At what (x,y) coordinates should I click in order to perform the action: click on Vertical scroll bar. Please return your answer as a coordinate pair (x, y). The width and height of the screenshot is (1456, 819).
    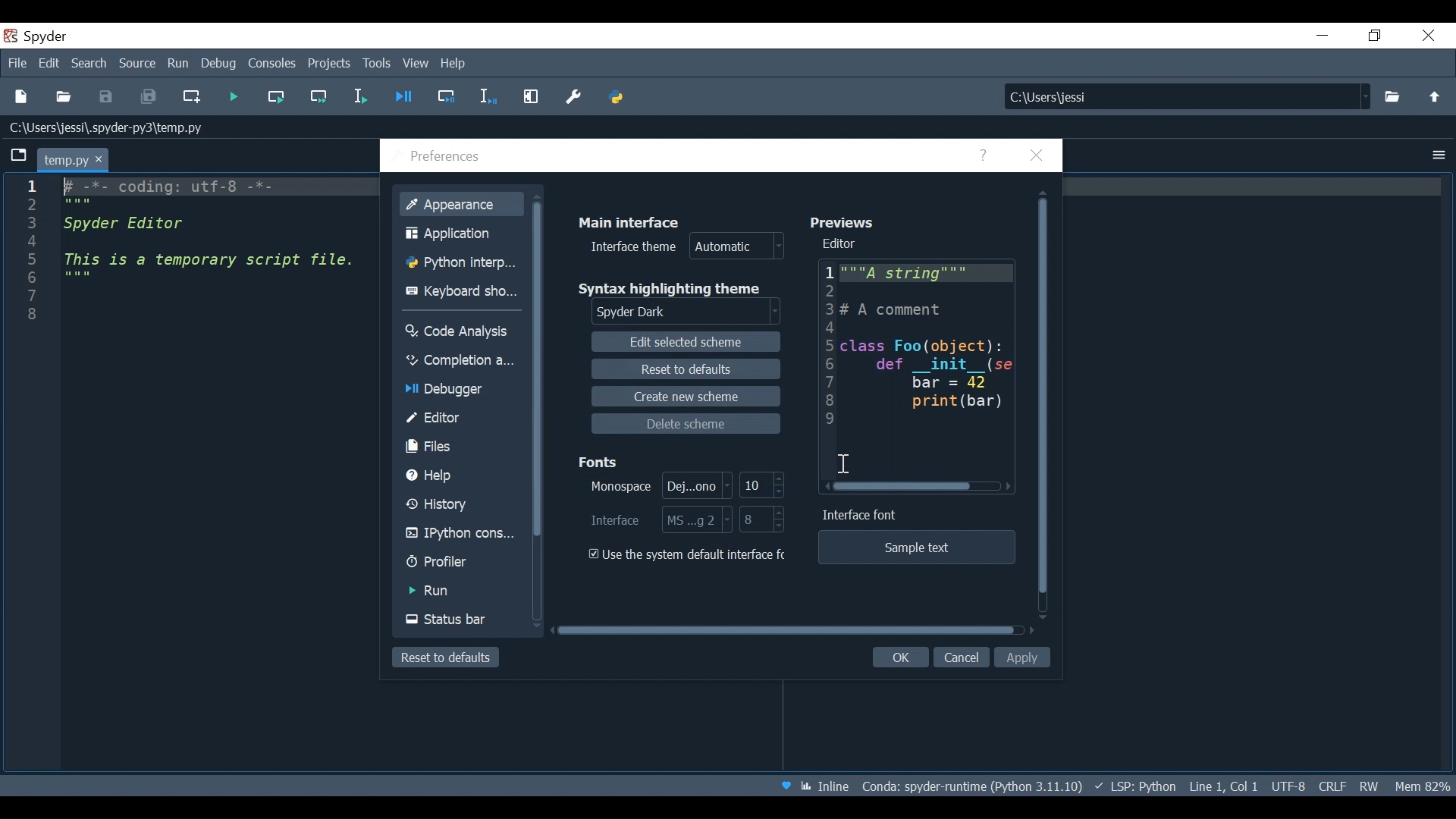
    Looking at the image, I should click on (542, 369).